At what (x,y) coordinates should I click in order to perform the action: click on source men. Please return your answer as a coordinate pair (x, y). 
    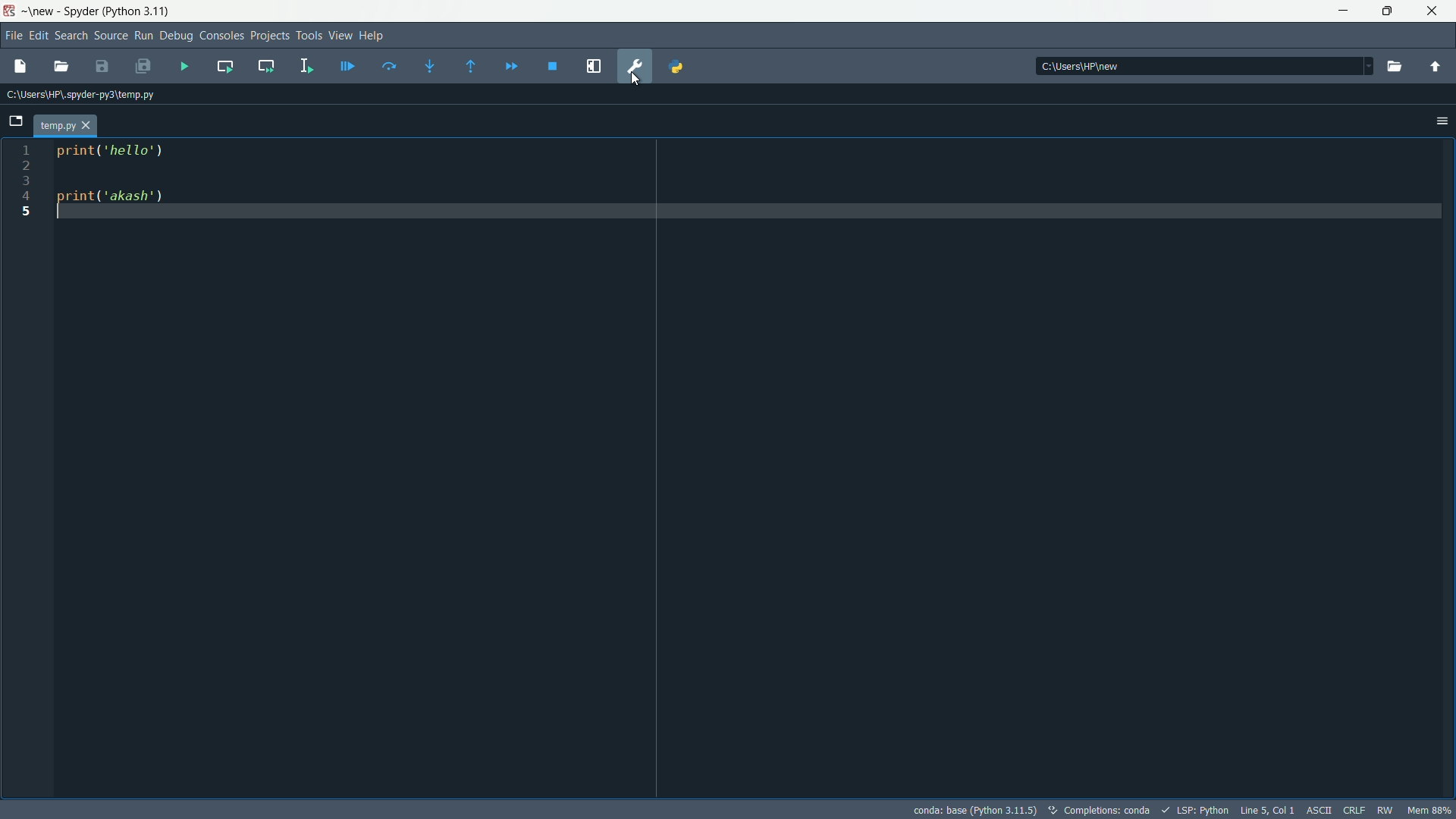
    Looking at the image, I should click on (109, 34).